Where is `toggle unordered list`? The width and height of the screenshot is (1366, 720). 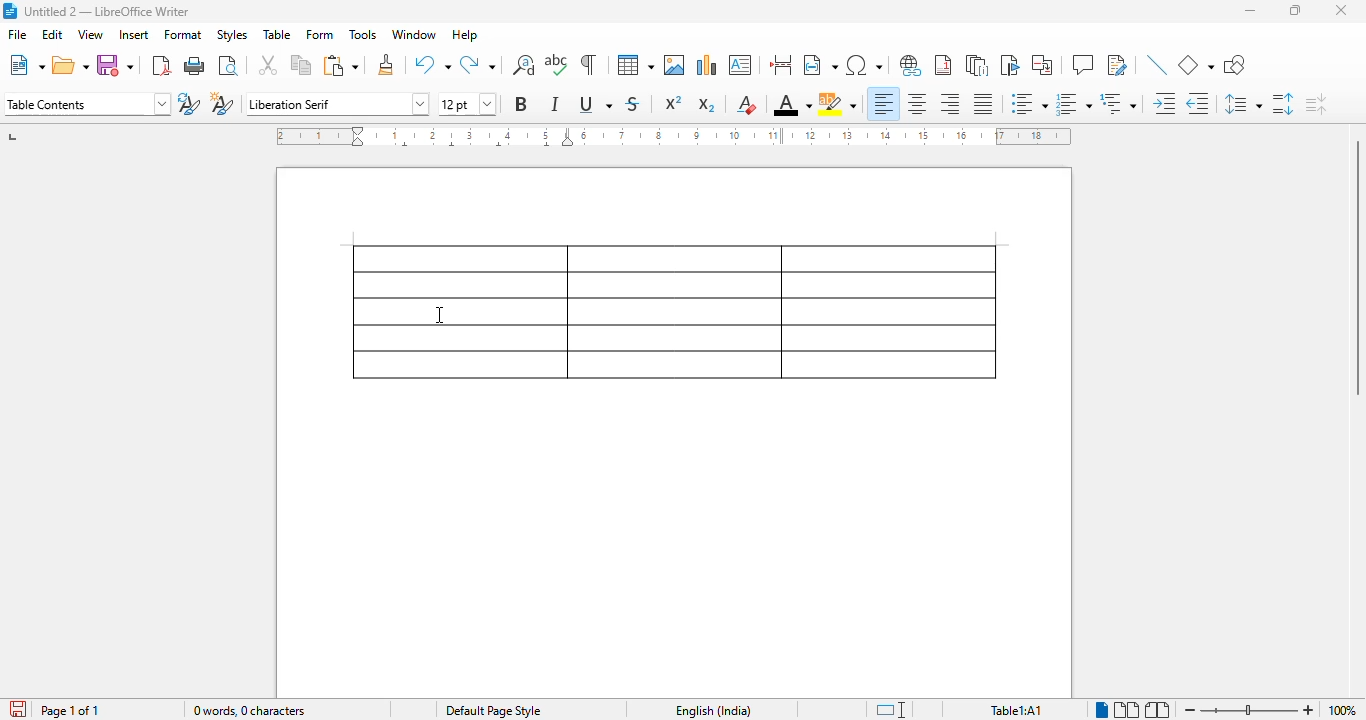 toggle unordered list is located at coordinates (1030, 103).